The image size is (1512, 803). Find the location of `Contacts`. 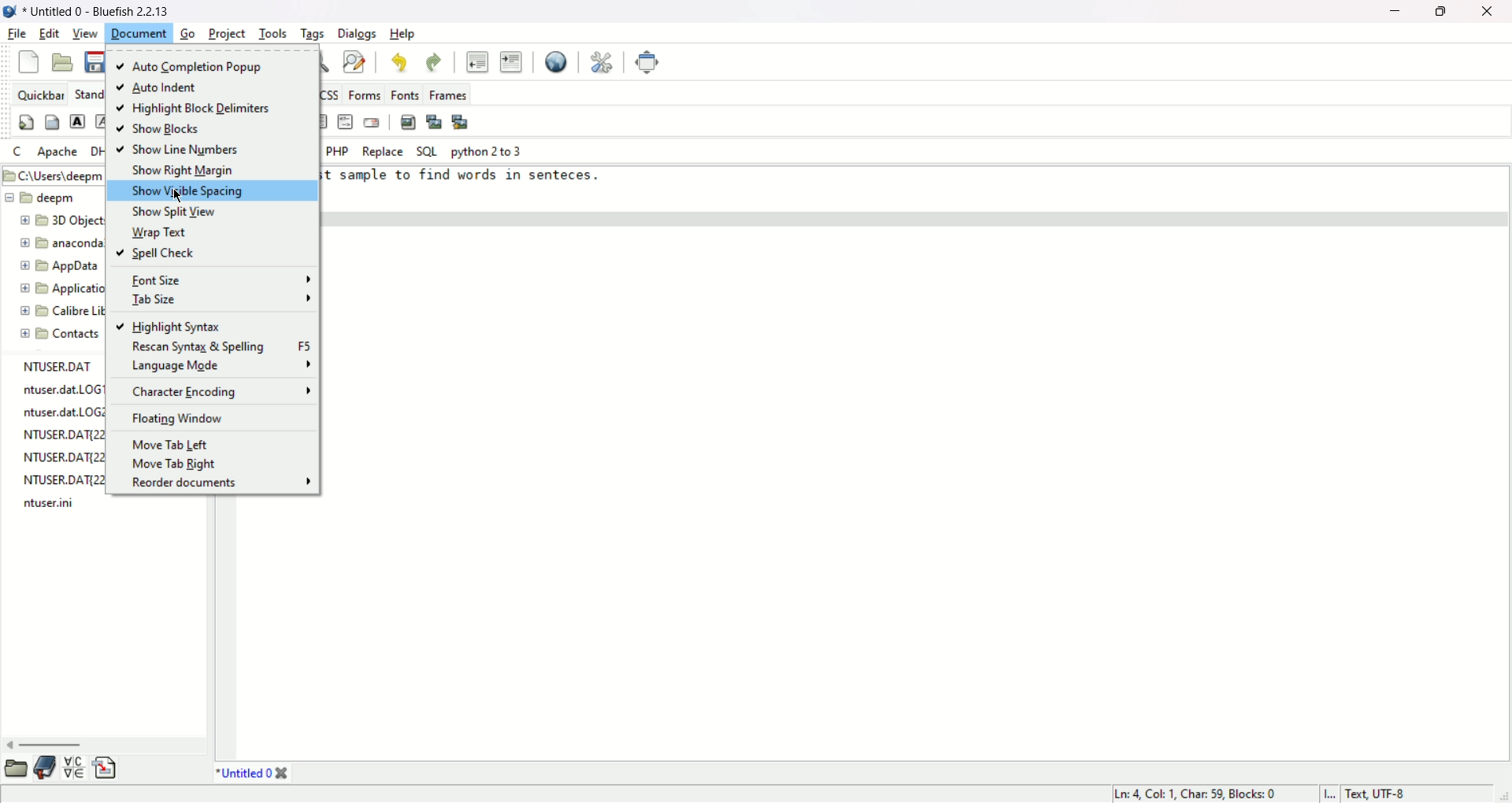

Contacts is located at coordinates (55, 334).